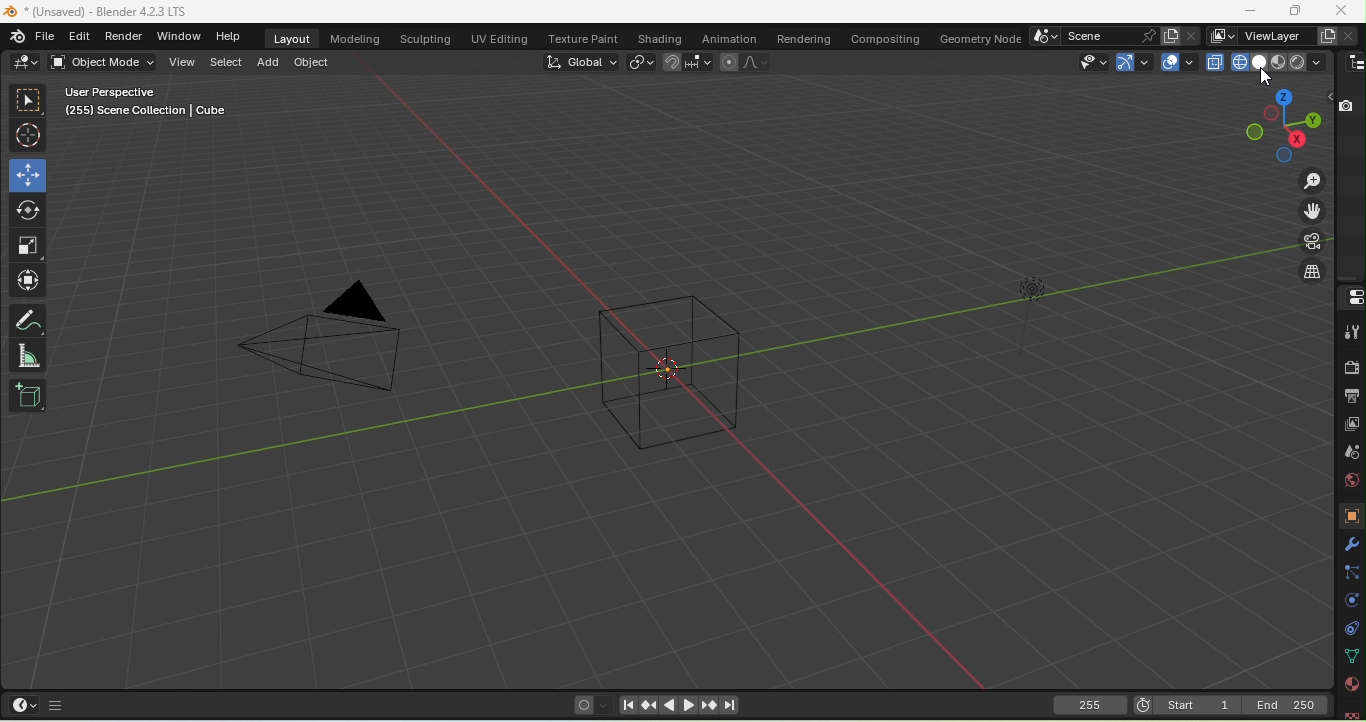 This screenshot has width=1366, height=722. What do you see at coordinates (707, 705) in the screenshot?
I see `Jump to previous/next keyframe` at bounding box center [707, 705].